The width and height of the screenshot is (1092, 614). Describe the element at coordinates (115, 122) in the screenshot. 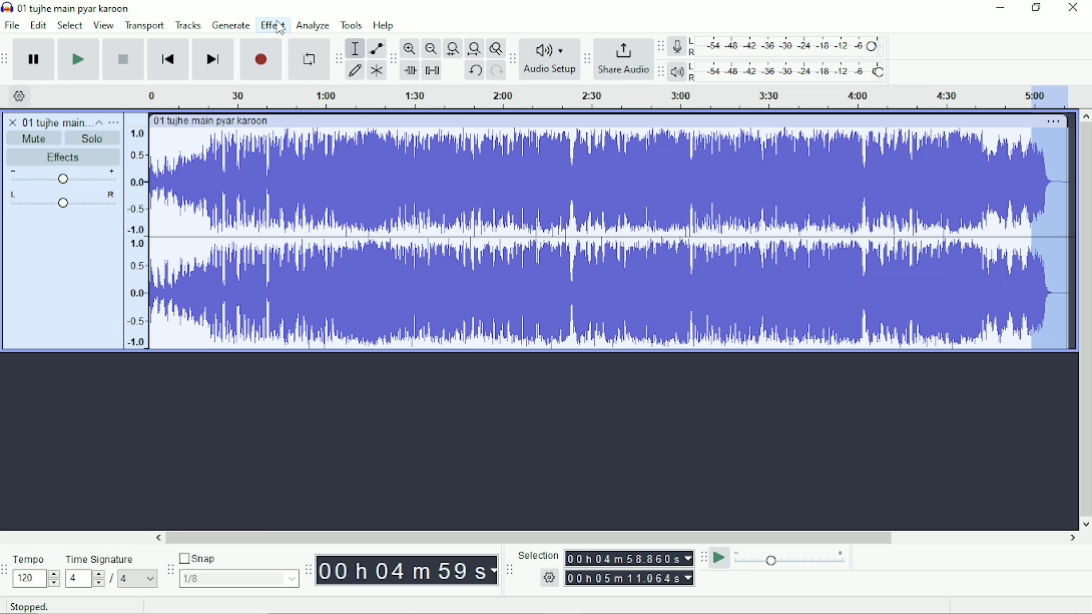

I see `Open menu` at that location.